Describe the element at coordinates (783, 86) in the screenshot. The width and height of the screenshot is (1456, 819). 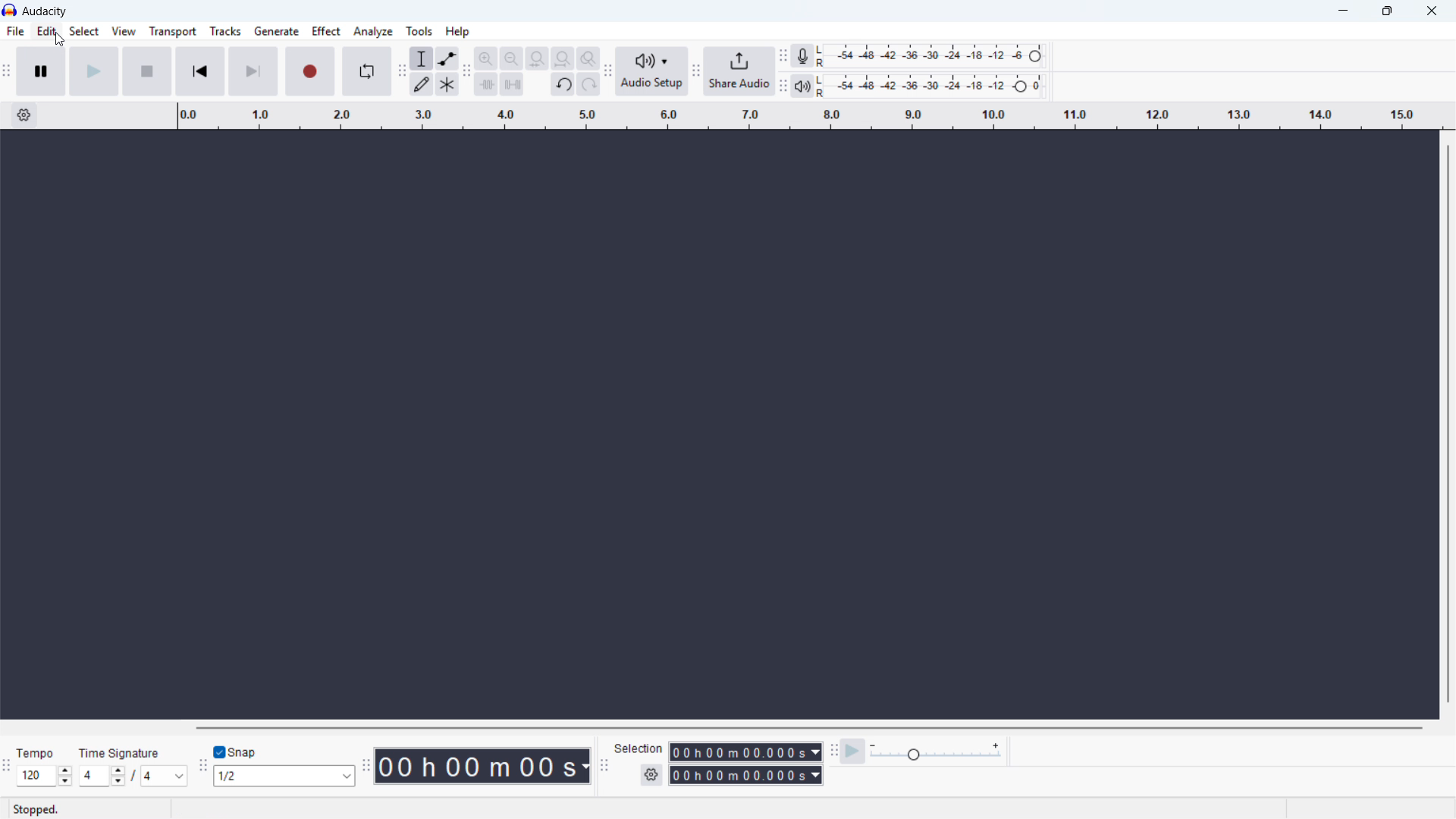
I see `playback meter toolbar` at that location.